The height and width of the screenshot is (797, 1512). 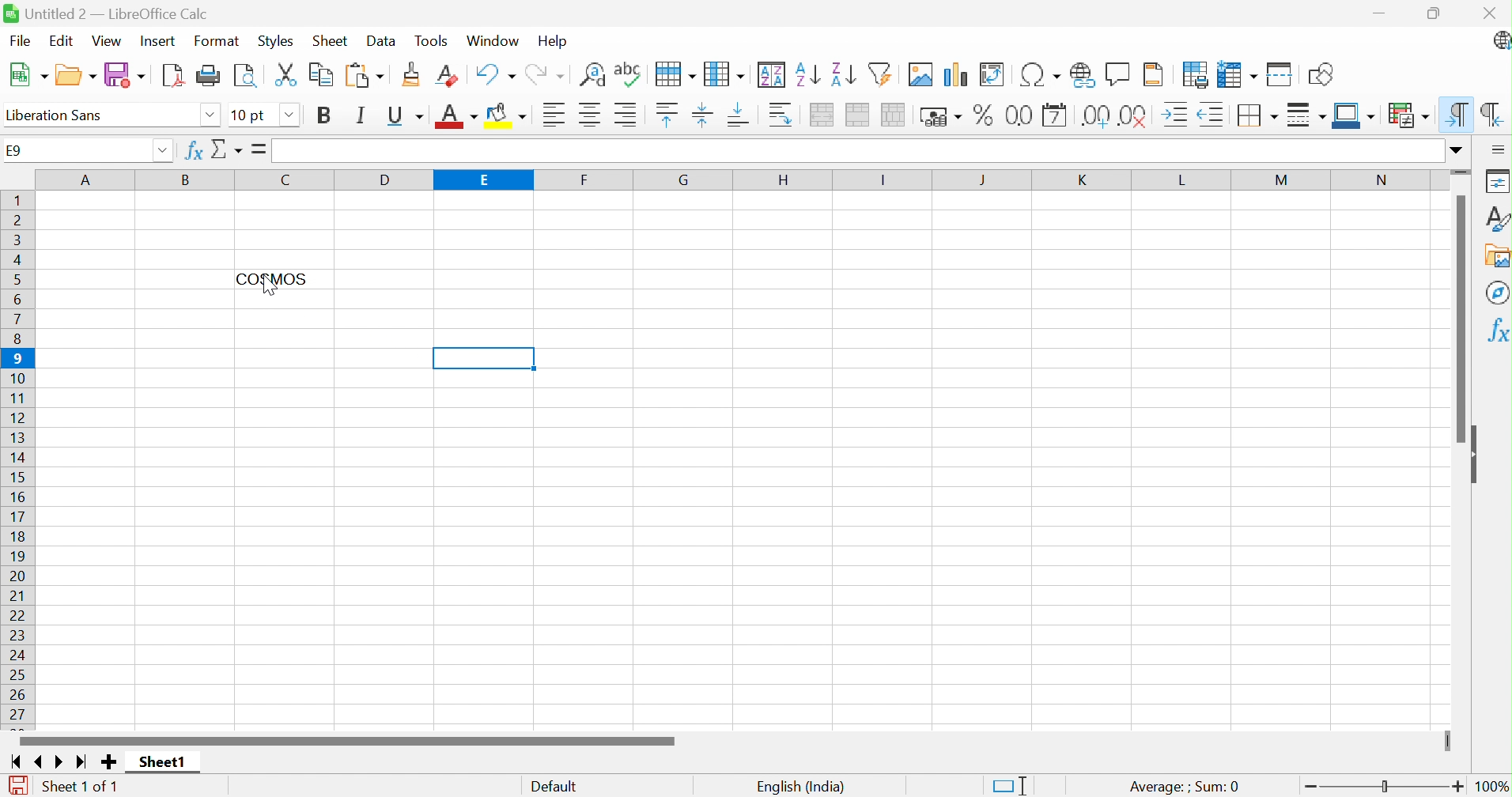 I want to click on Font size, so click(x=252, y=115).